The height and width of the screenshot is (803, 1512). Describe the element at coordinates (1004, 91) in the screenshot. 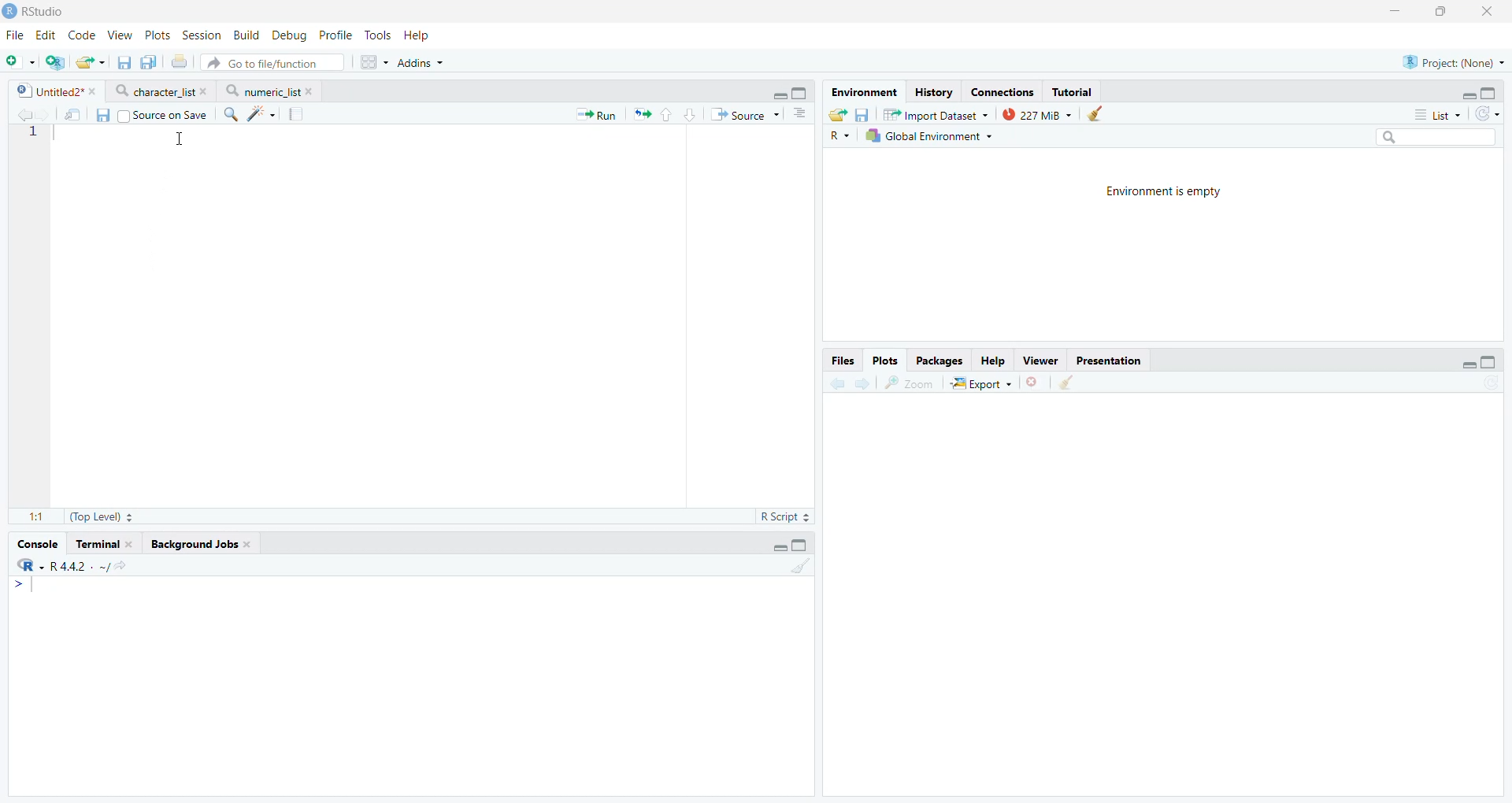

I see `Connections` at that location.